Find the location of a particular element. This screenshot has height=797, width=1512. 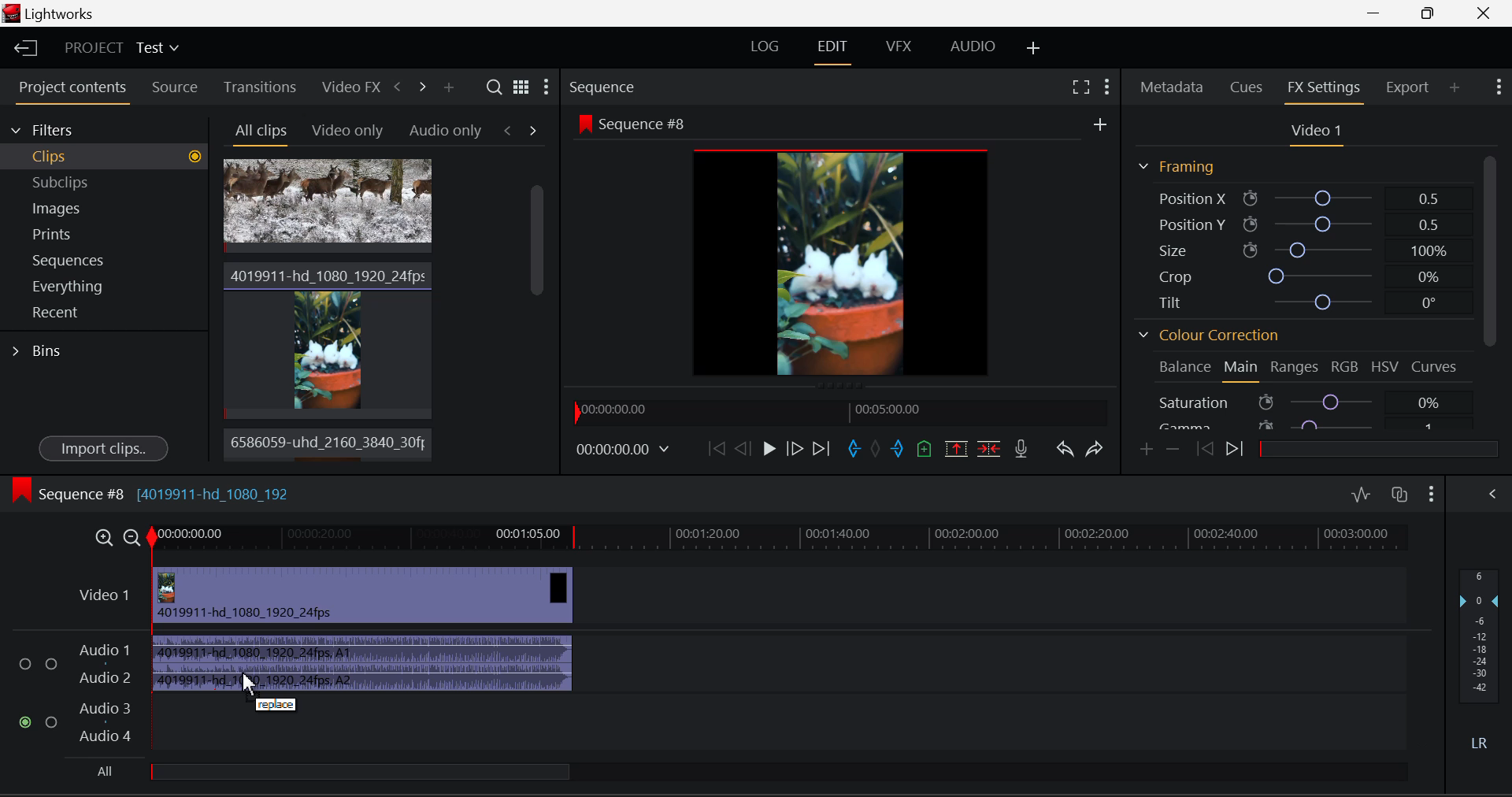

Scroll Bar is located at coordinates (1492, 287).